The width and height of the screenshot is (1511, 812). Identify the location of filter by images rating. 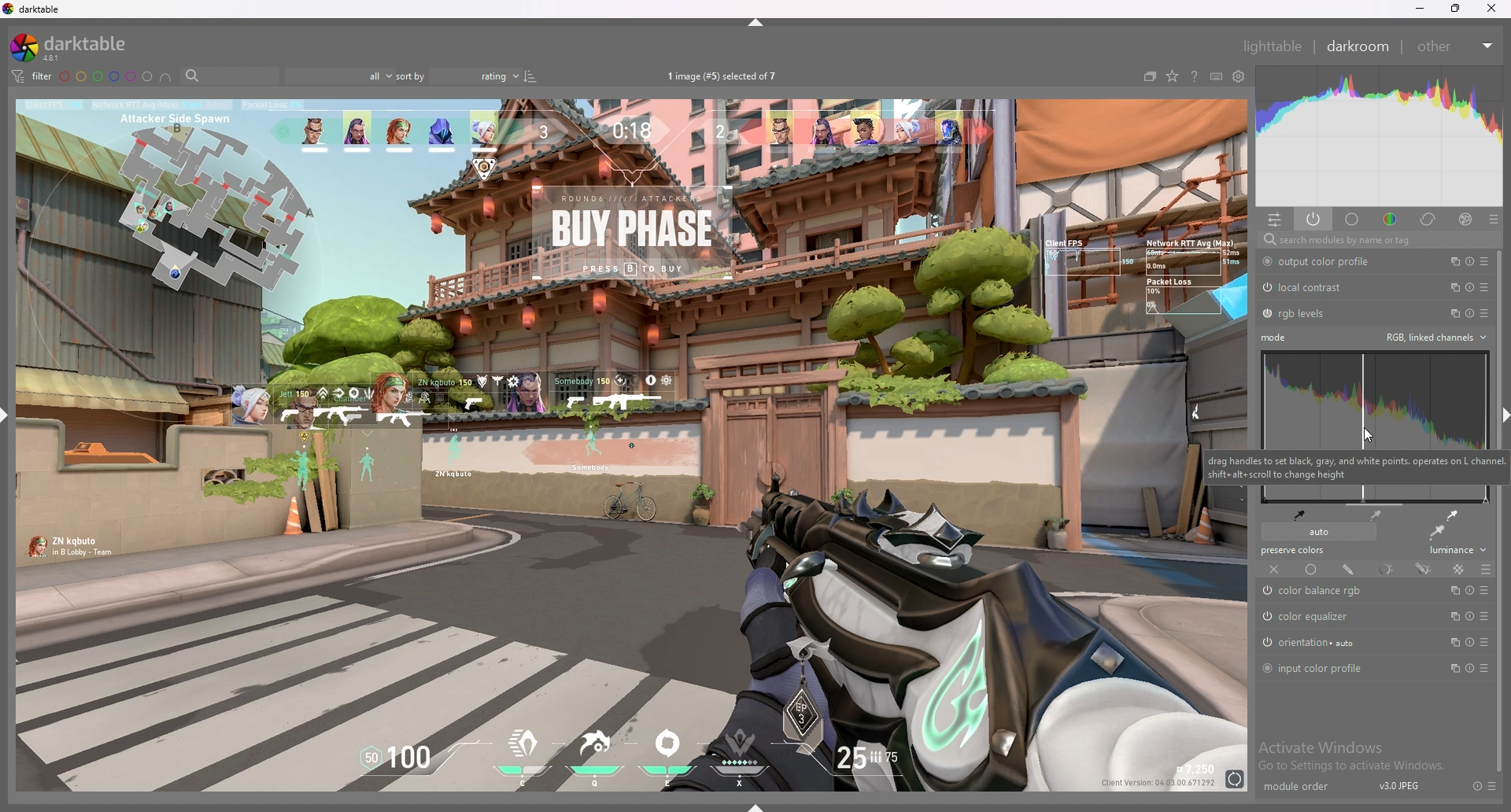
(337, 76).